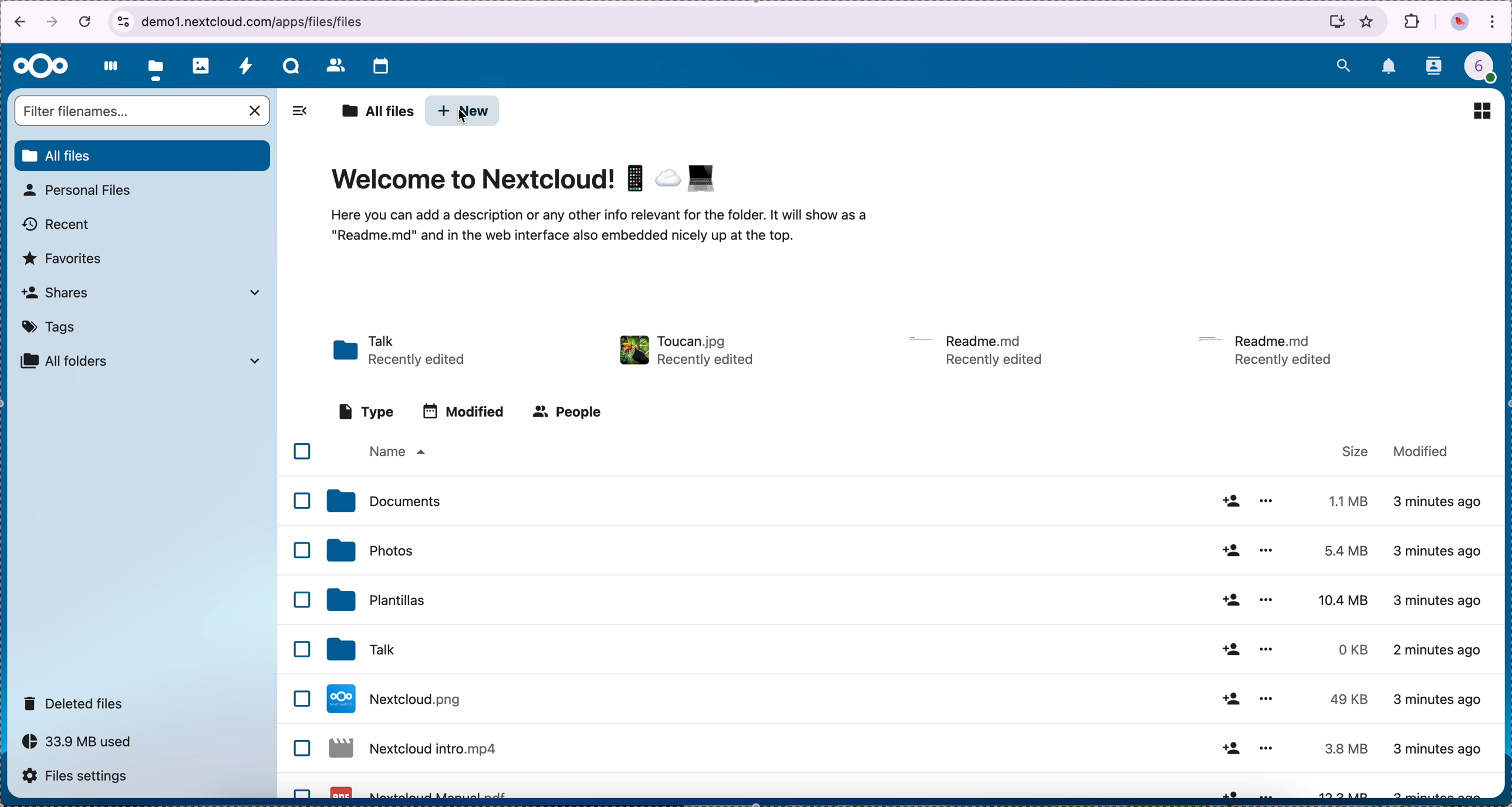 This screenshot has height=807, width=1512. What do you see at coordinates (1440, 505) in the screenshot?
I see `3 minutes ago` at bounding box center [1440, 505].